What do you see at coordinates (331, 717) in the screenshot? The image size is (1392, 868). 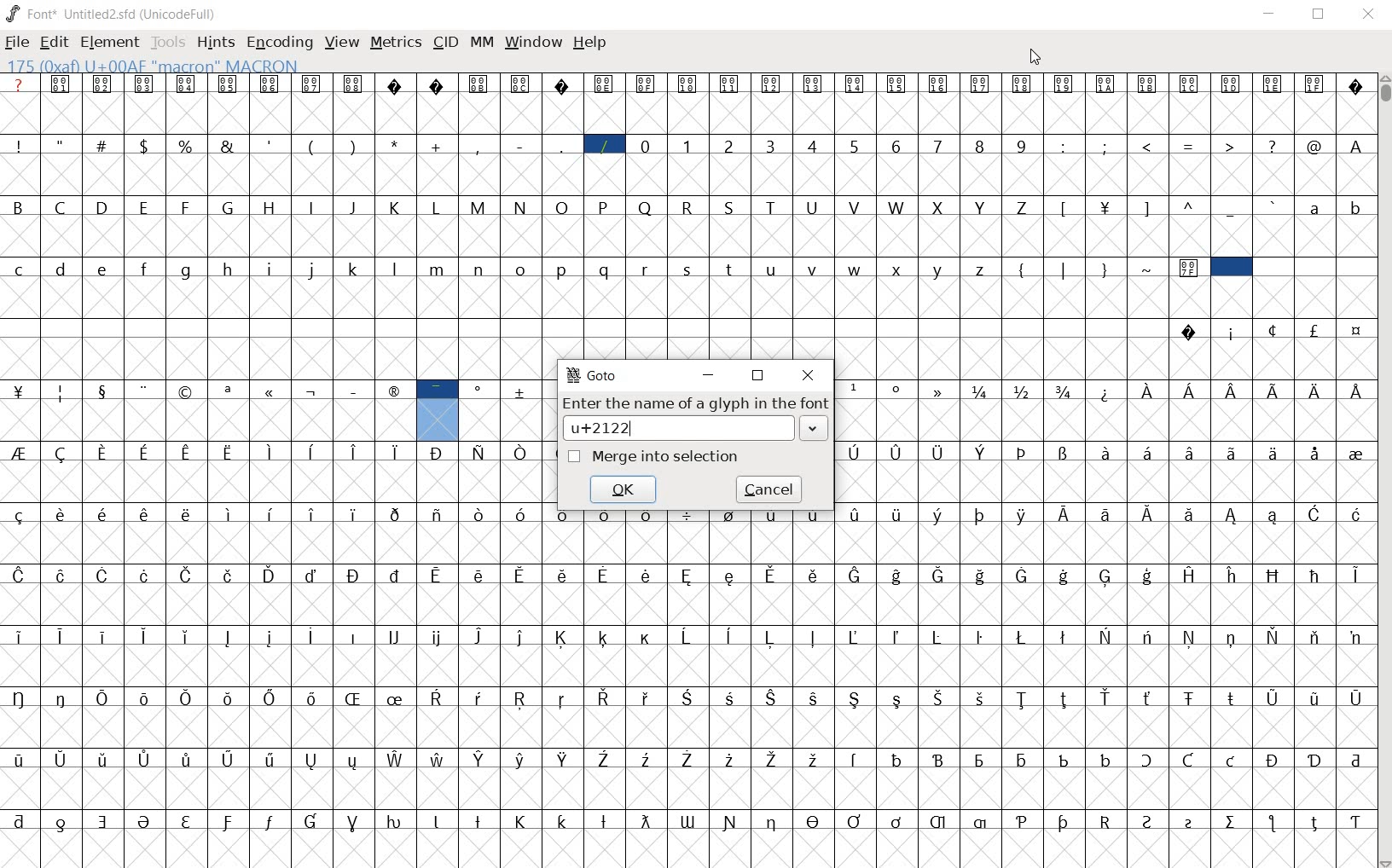 I see `accented characters` at bounding box center [331, 717].